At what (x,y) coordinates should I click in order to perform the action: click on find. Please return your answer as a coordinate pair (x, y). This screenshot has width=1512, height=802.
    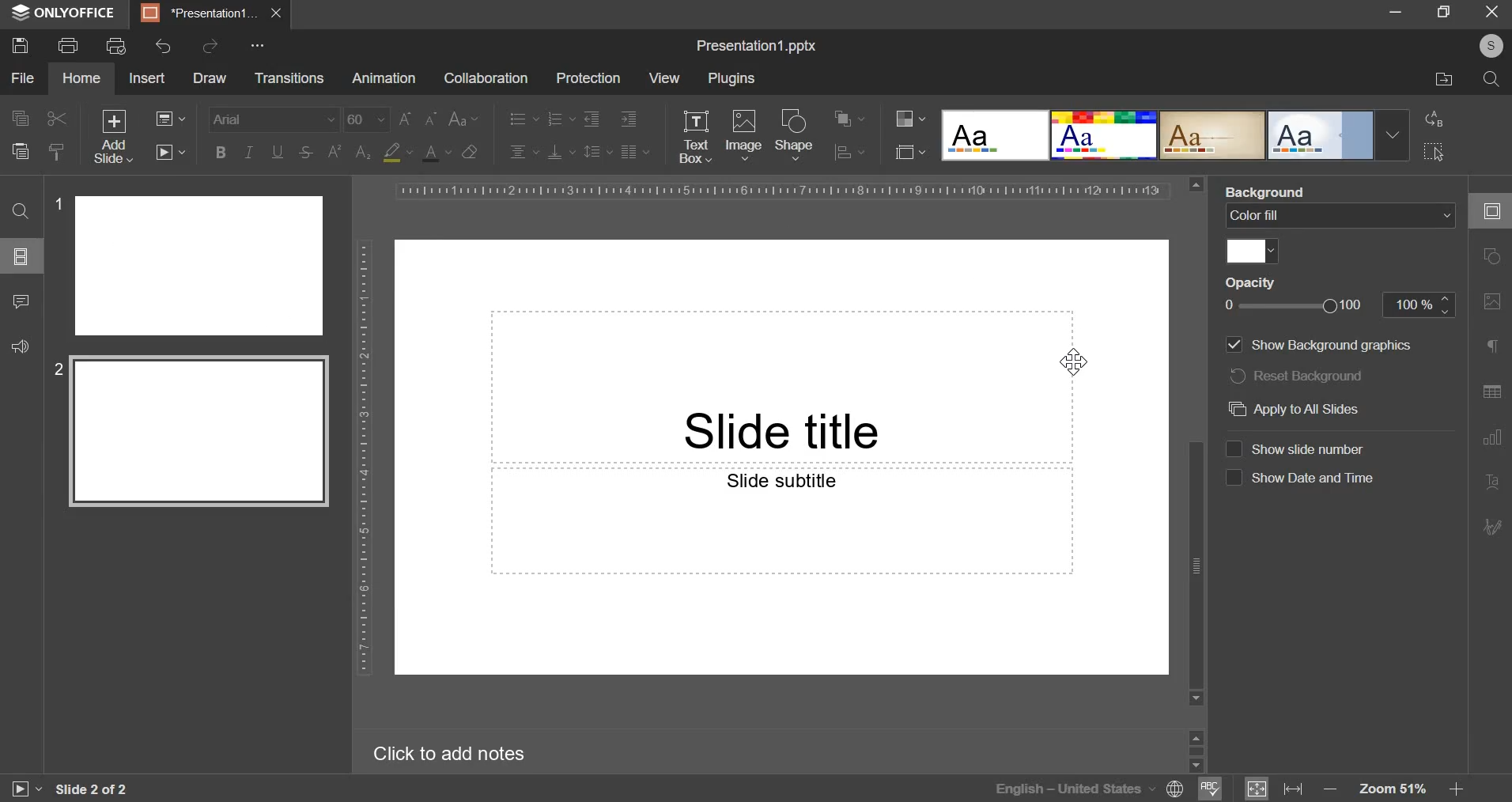
    Looking at the image, I should click on (20, 210).